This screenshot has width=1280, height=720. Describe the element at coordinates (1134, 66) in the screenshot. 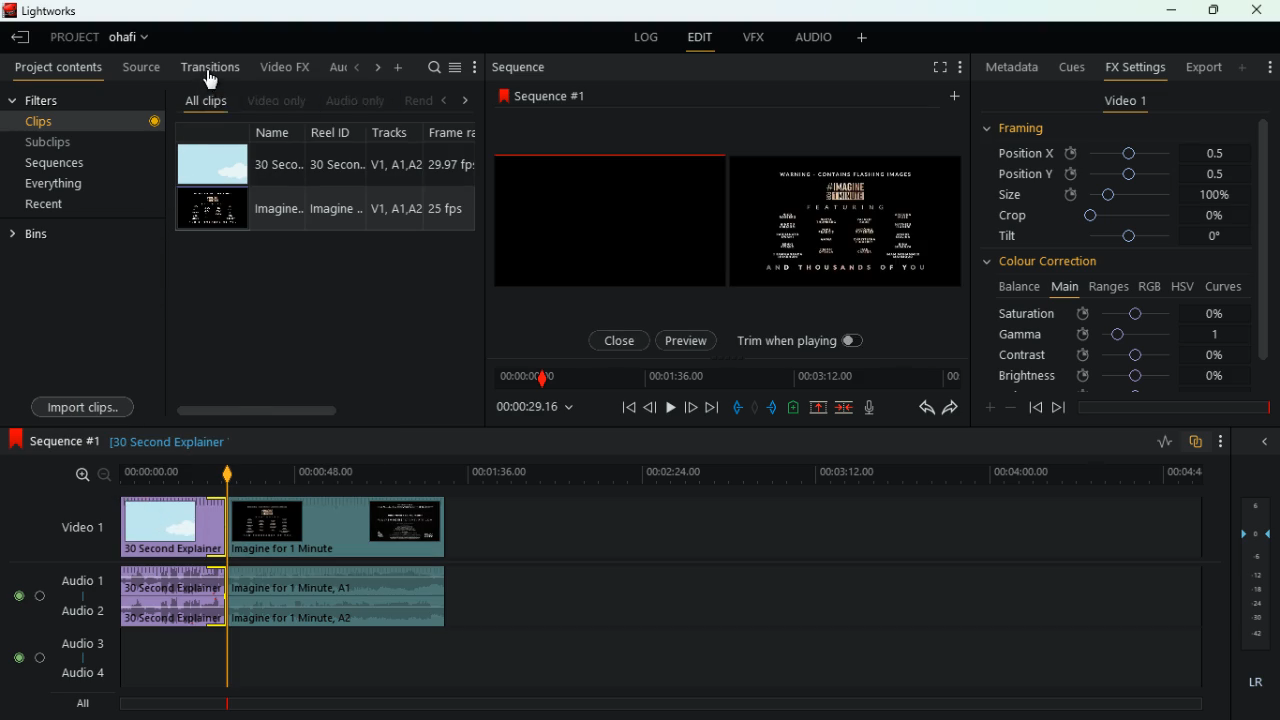

I see `fx settings` at that location.